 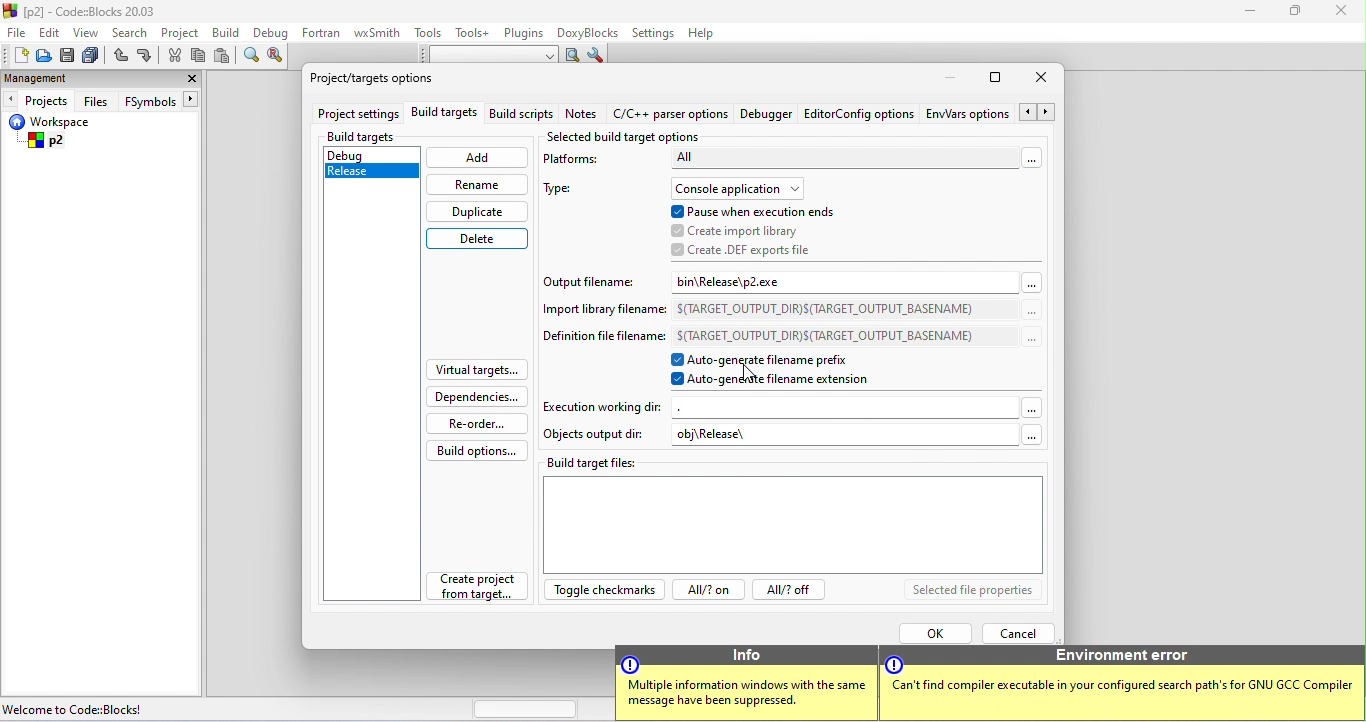 What do you see at coordinates (97, 100) in the screenshot?
I see `files` at bounding box center [97, 100].